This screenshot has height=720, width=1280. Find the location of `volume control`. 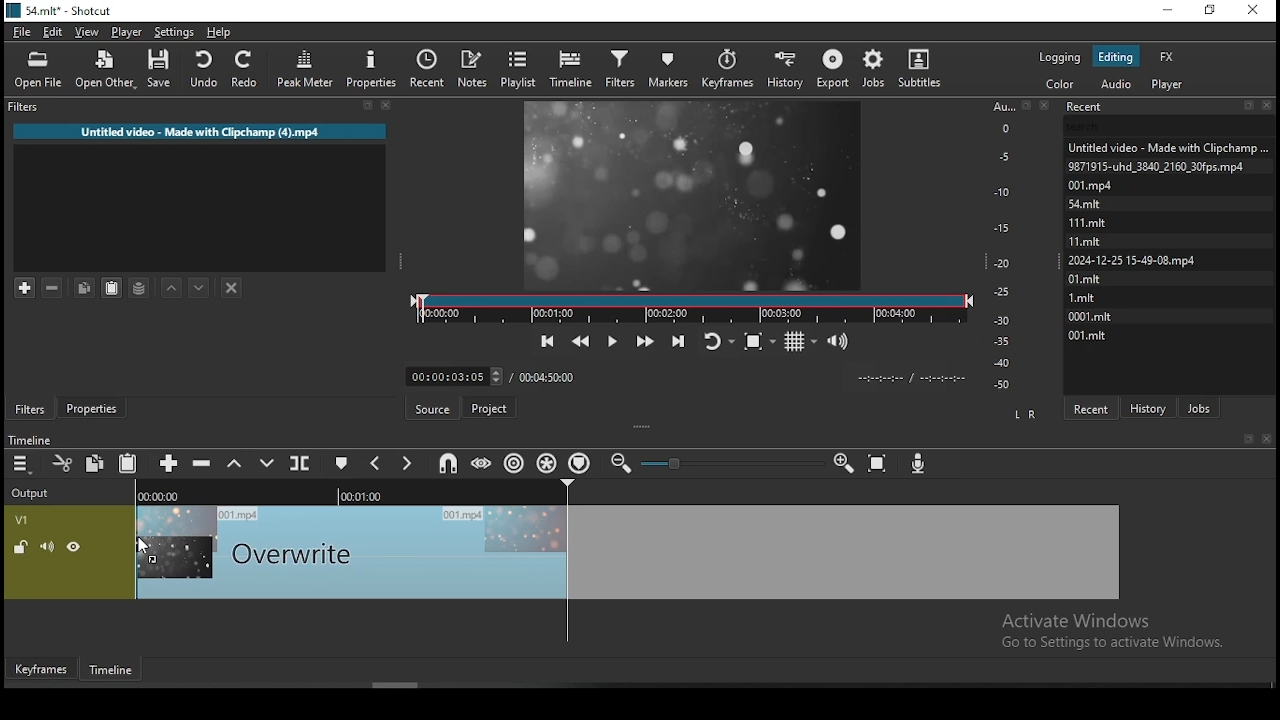

volume control is located at coordinates (840, 342).